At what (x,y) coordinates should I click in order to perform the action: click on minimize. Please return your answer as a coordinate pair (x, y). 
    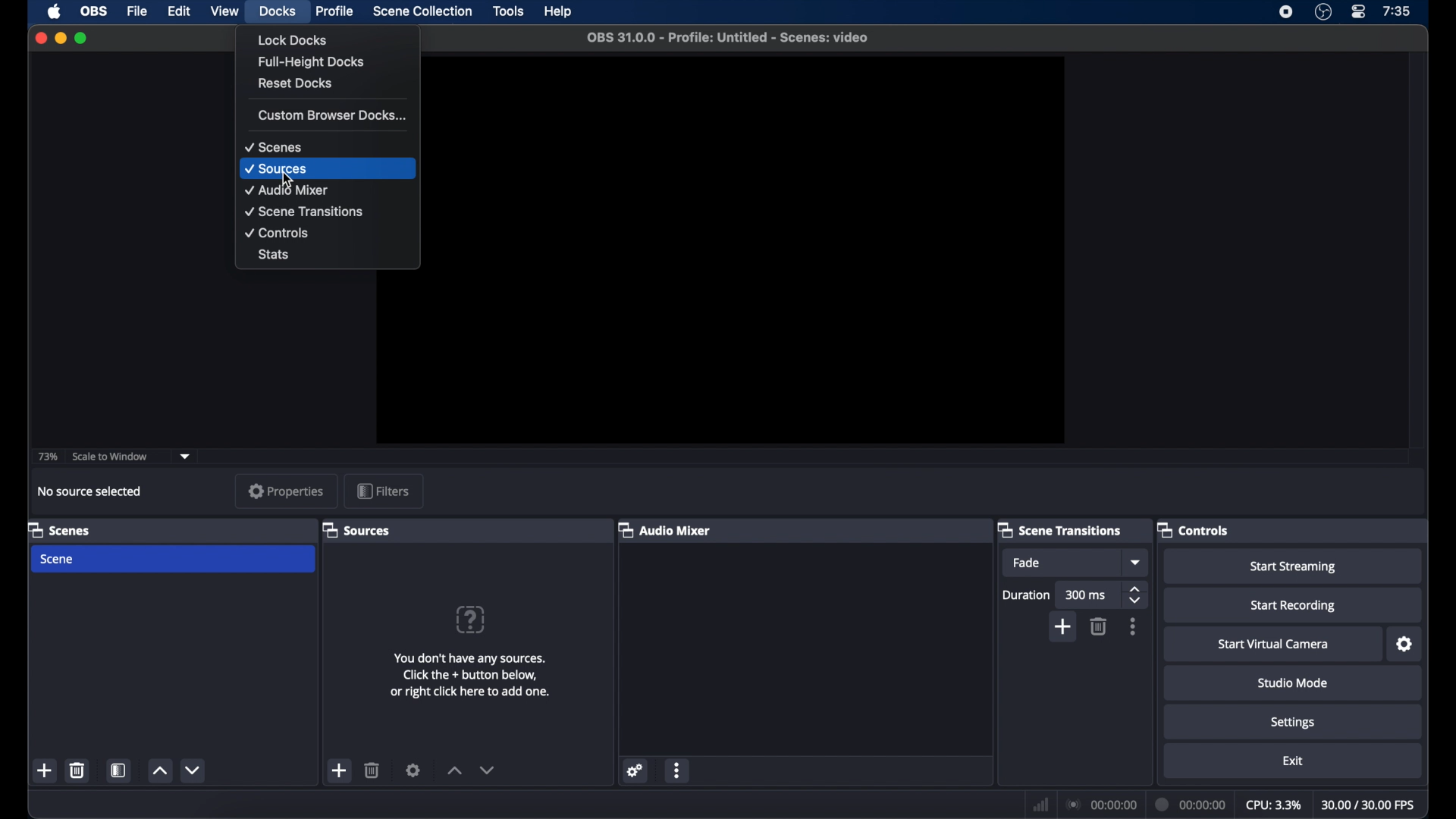
    Looking at the image, I should click on (60, 38).